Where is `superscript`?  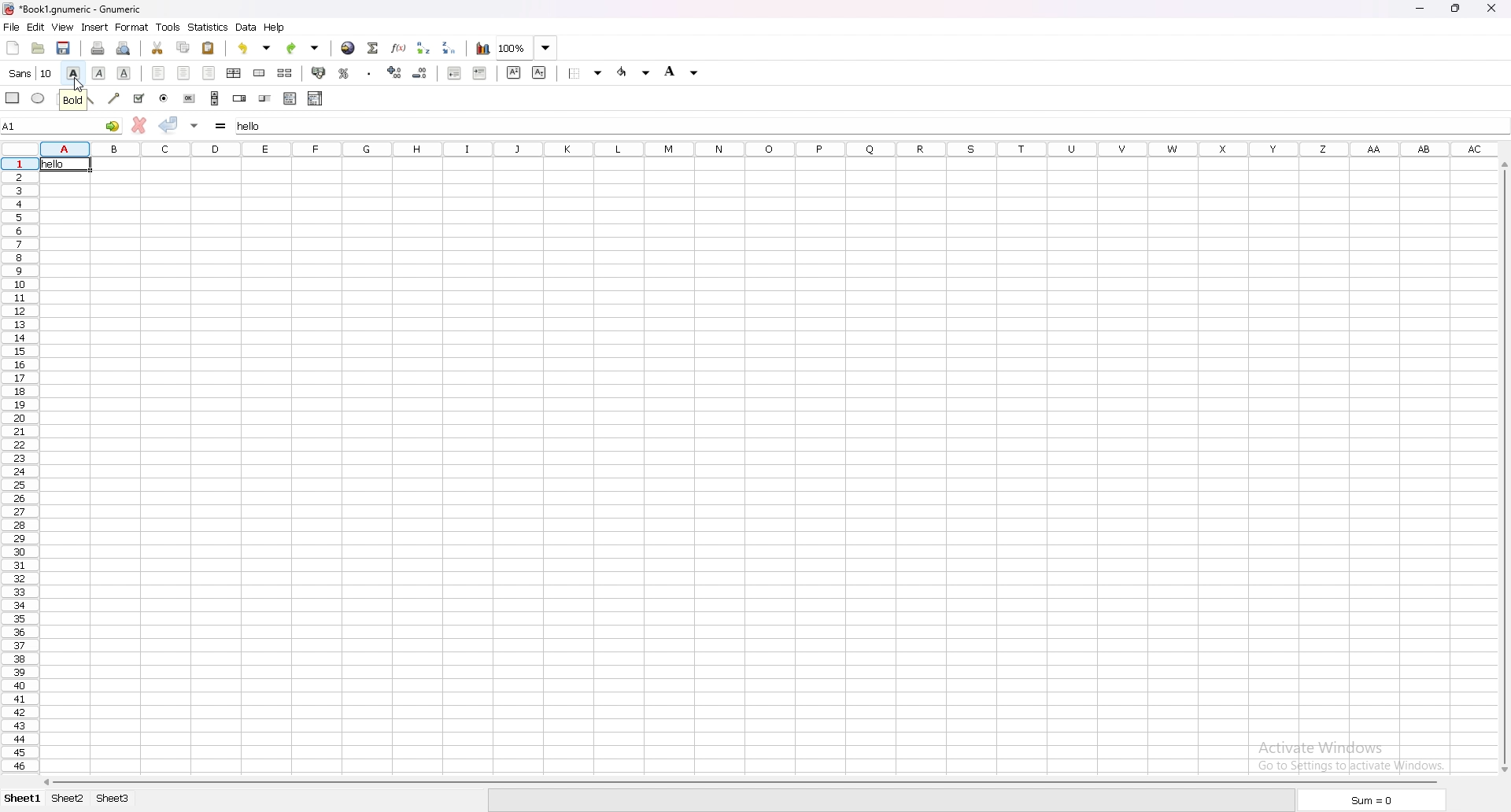 superscript is located at coordinates (514, 73).